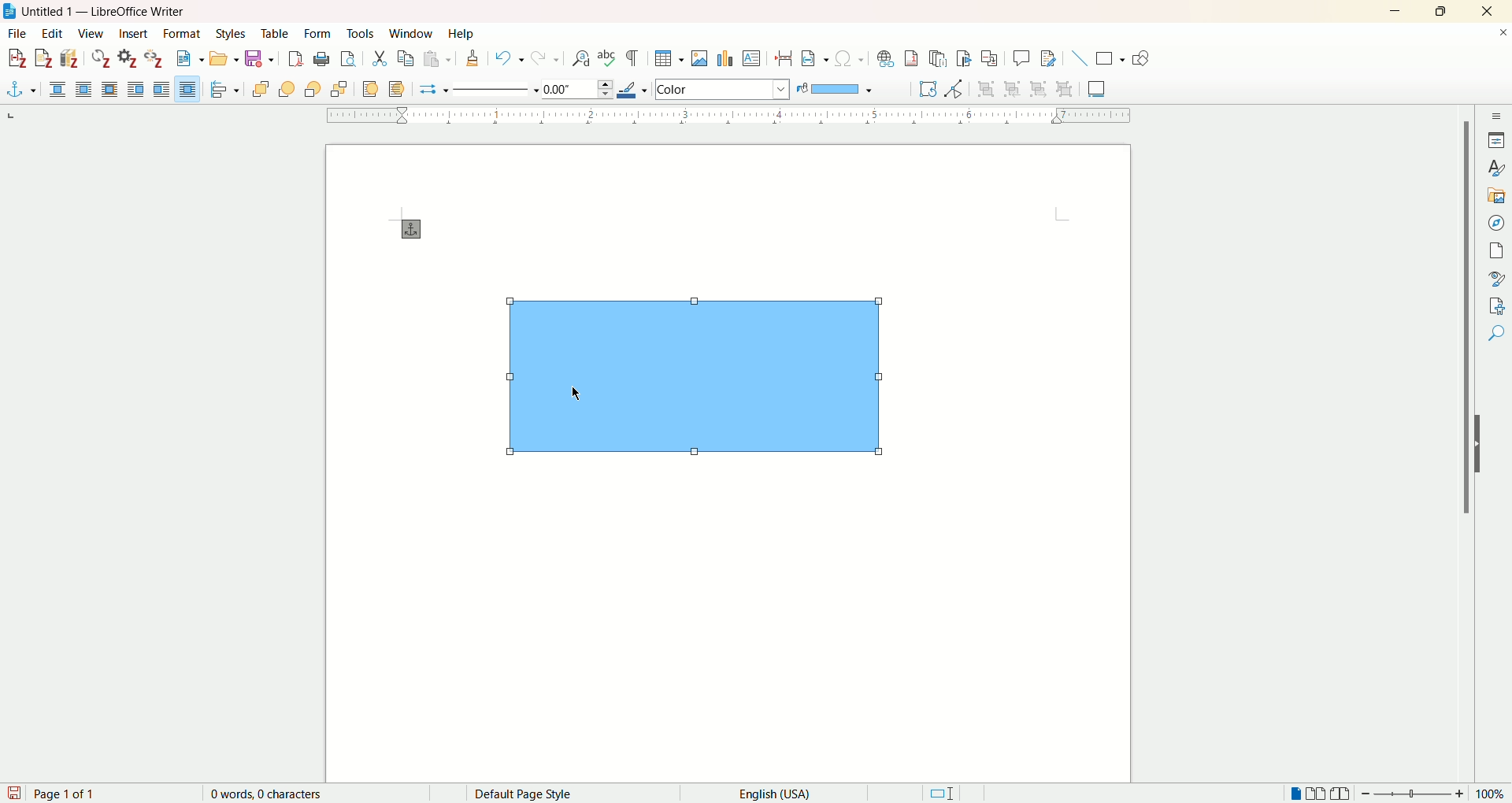 The image size is (1512, 803). What do you see at coordinates (942, 792) in the screenshot?
I see `standard selection` at bounding box center [942, 792].